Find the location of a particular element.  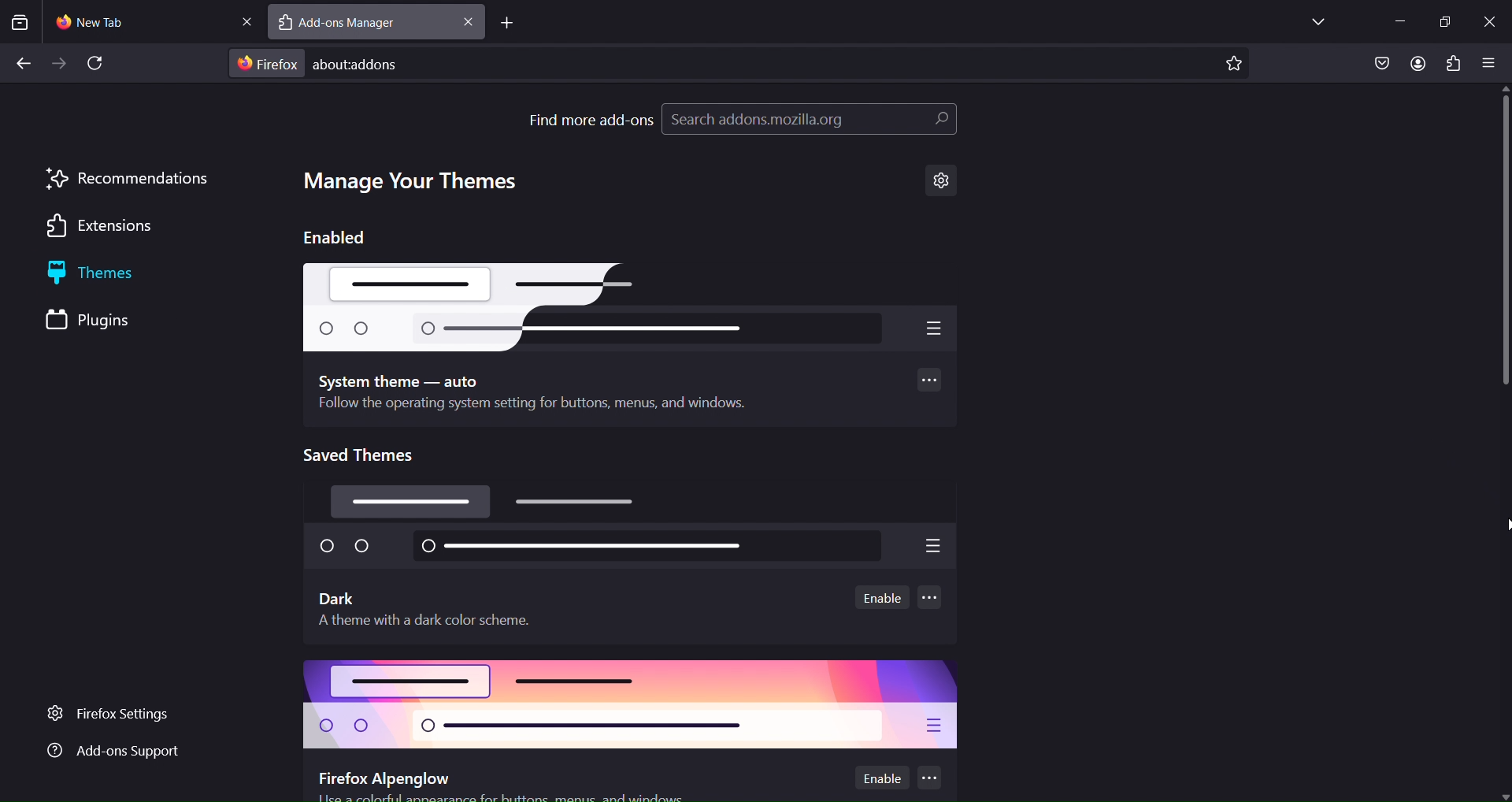

system theme auto image is located at coordinates (630, 306).